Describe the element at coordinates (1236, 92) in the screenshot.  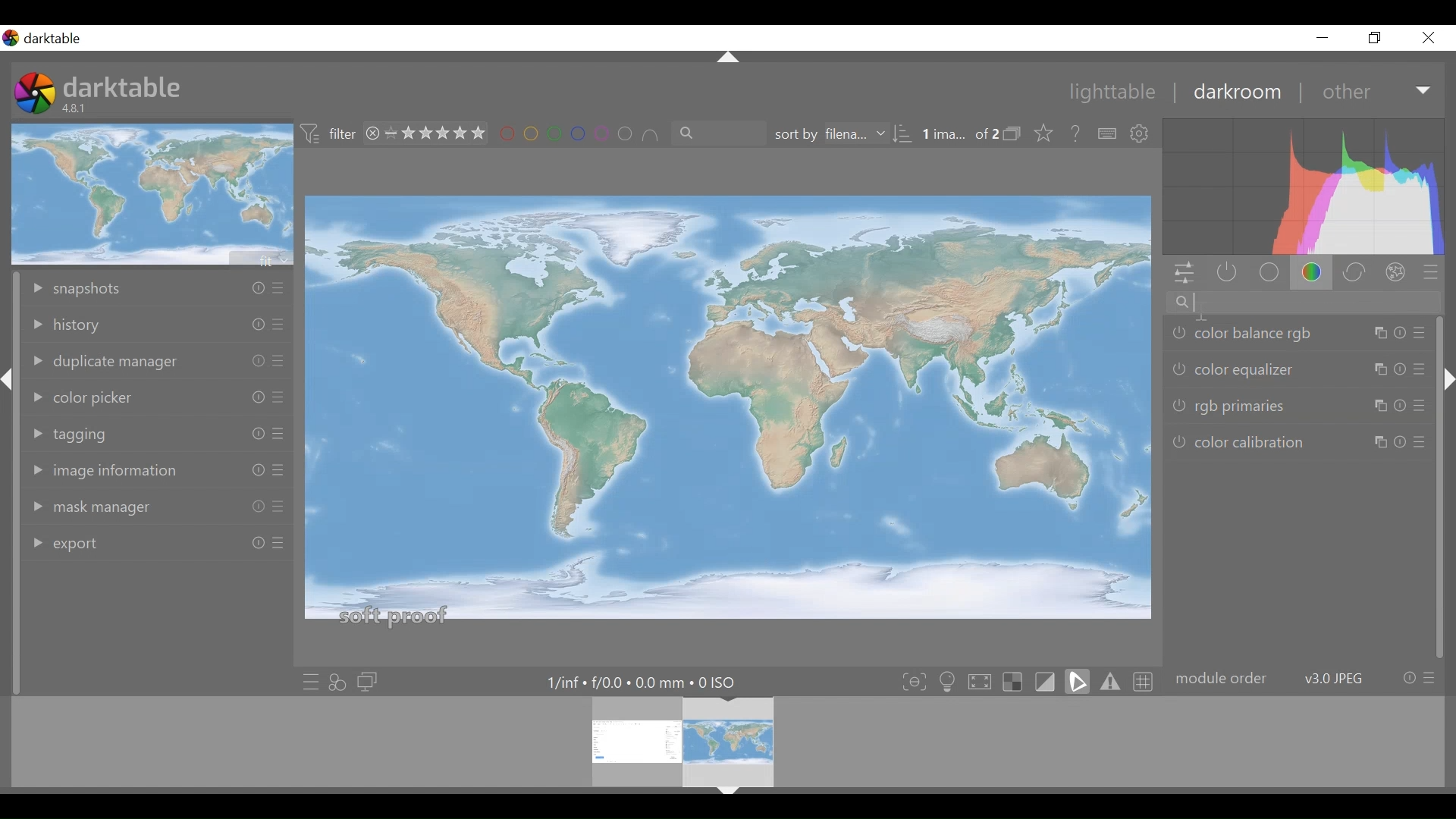
I see `darkroom` at that location.